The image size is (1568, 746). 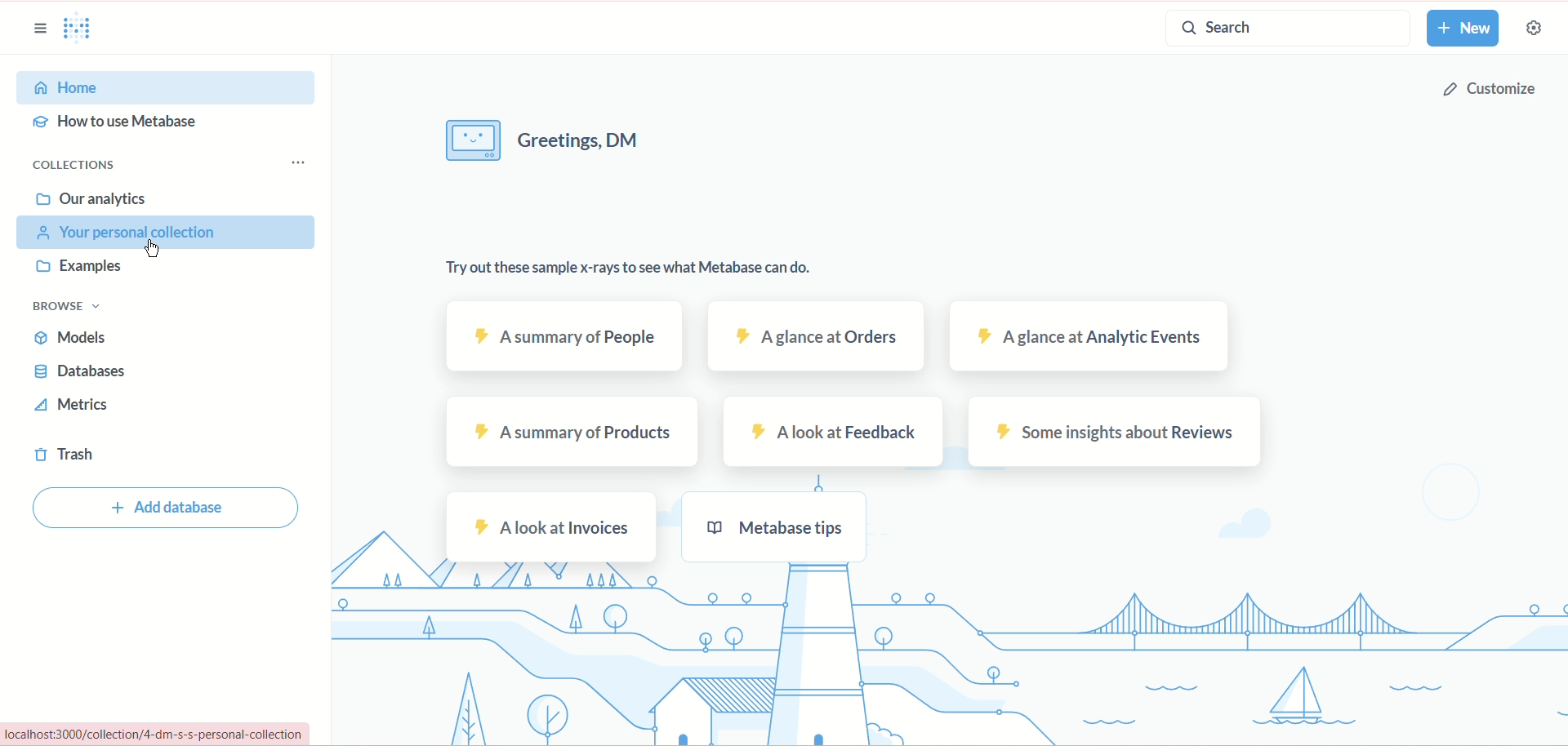 What do you see at coordinates (154, 734) in the screenshot?
I see `localhost:3000/collection/4-dm-s-s-personal-collection` at bounding box center [154, 734].